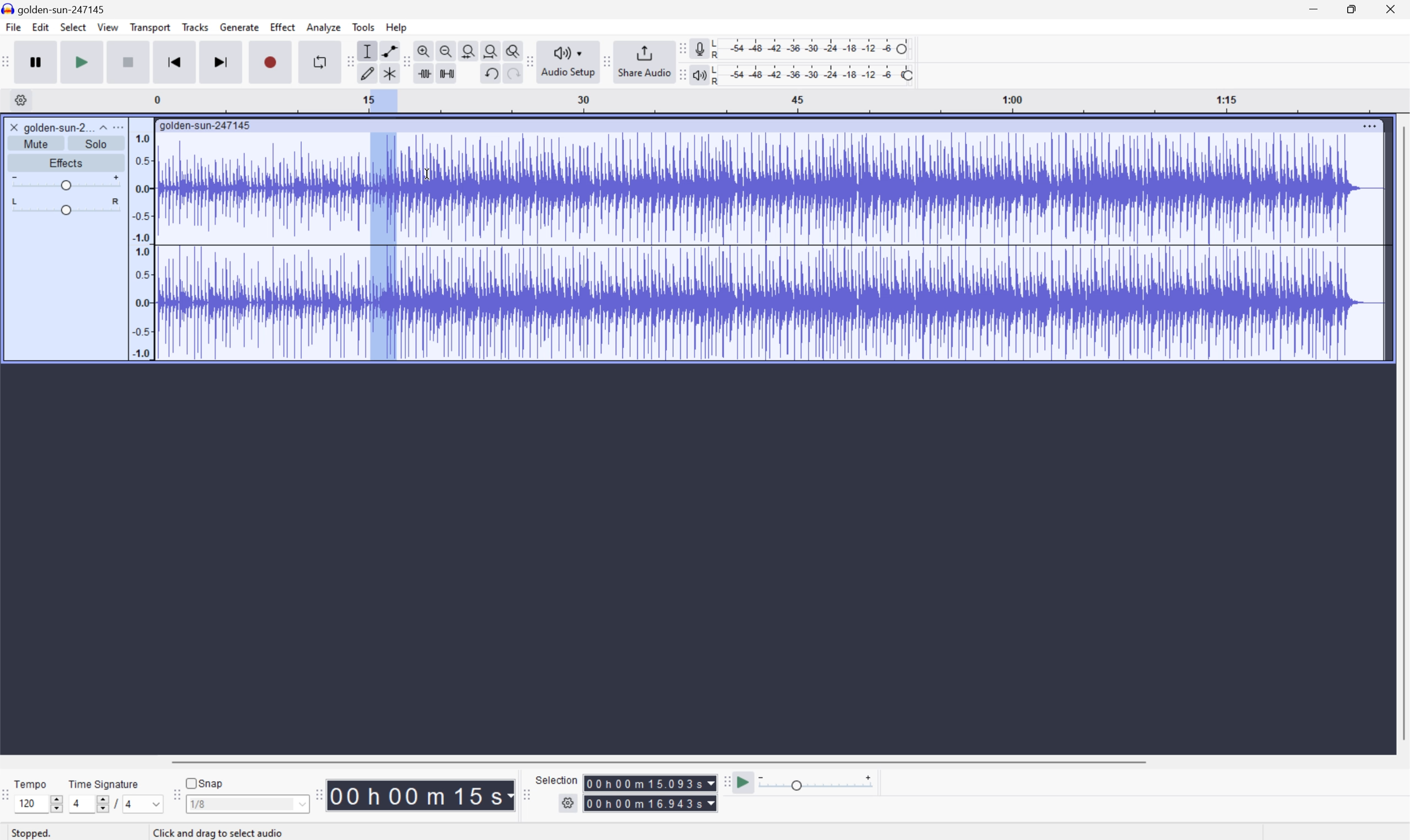 This screenshot has height=840, width=1410. What do you see at coordinates (27, 803) in the screenshot?
I see `120` at bounding box center [27, 803].